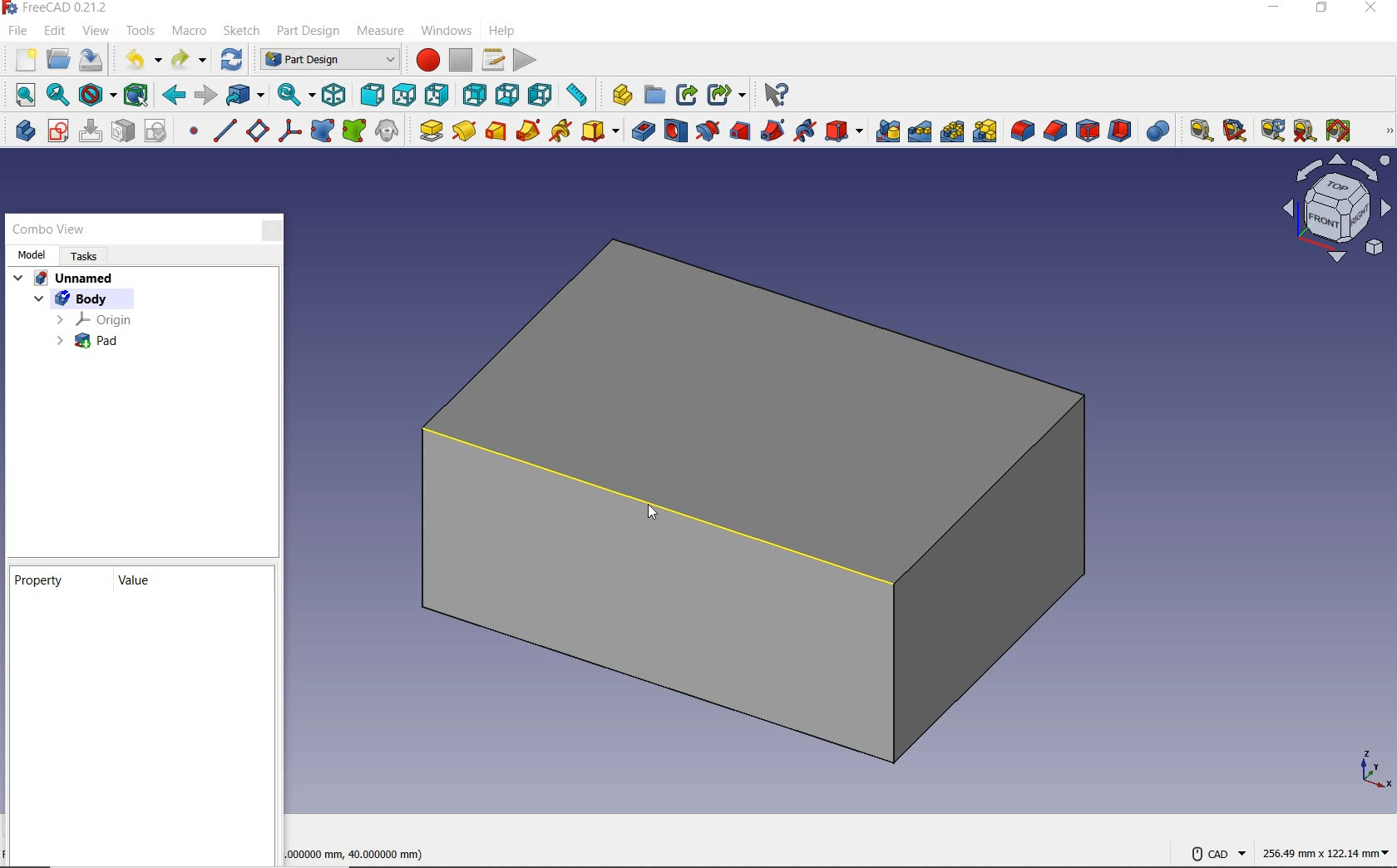 The height and width of the screenshot is (868, 1397). What do you see at coordinates (493, 58) in the screenshot?
I see `macros` at bounding box center [493, 58].